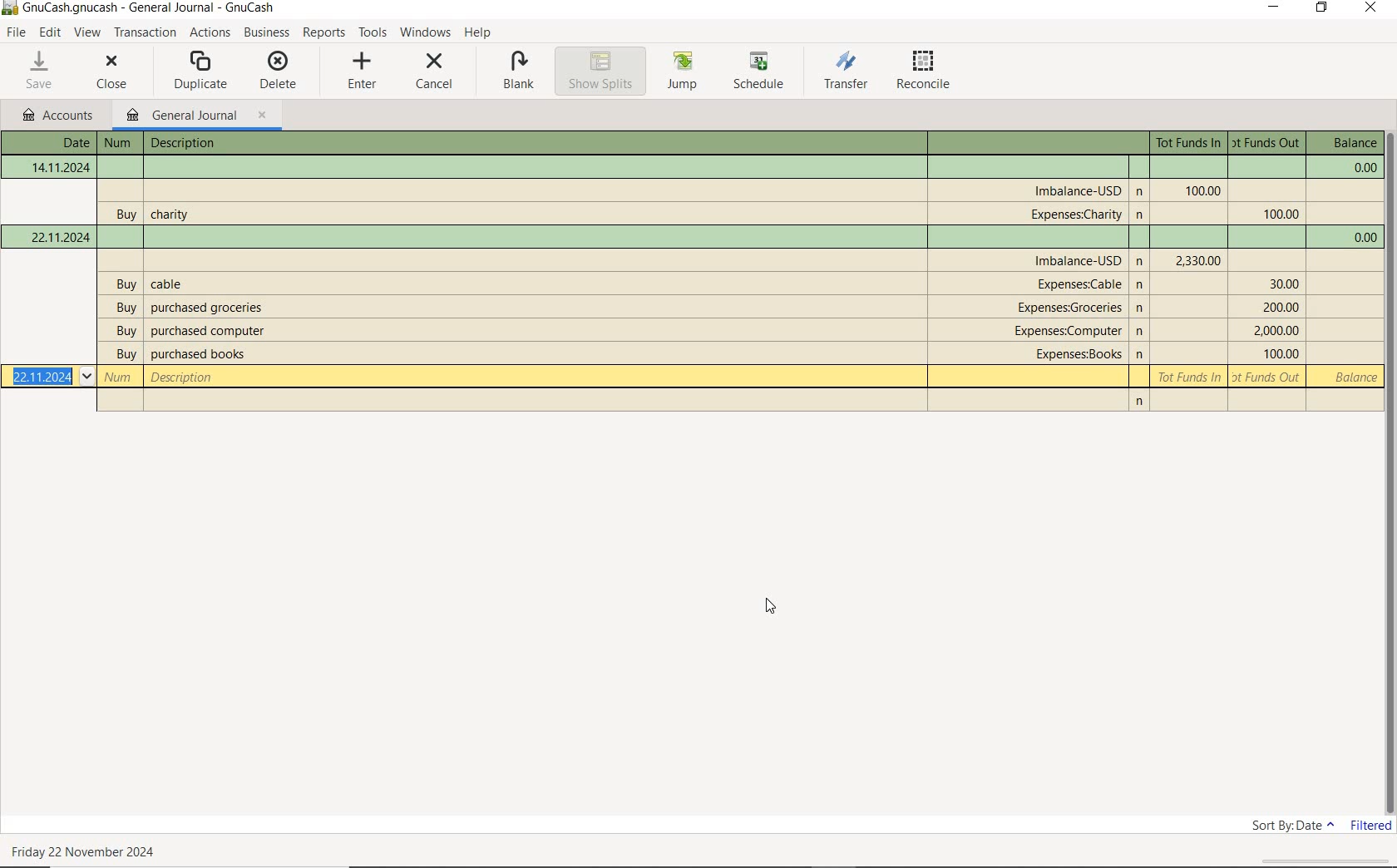 Image resolution: width=1397 pixels, height=868 pixels. I want to click on Tot Funds Out, so click(1276, 330).